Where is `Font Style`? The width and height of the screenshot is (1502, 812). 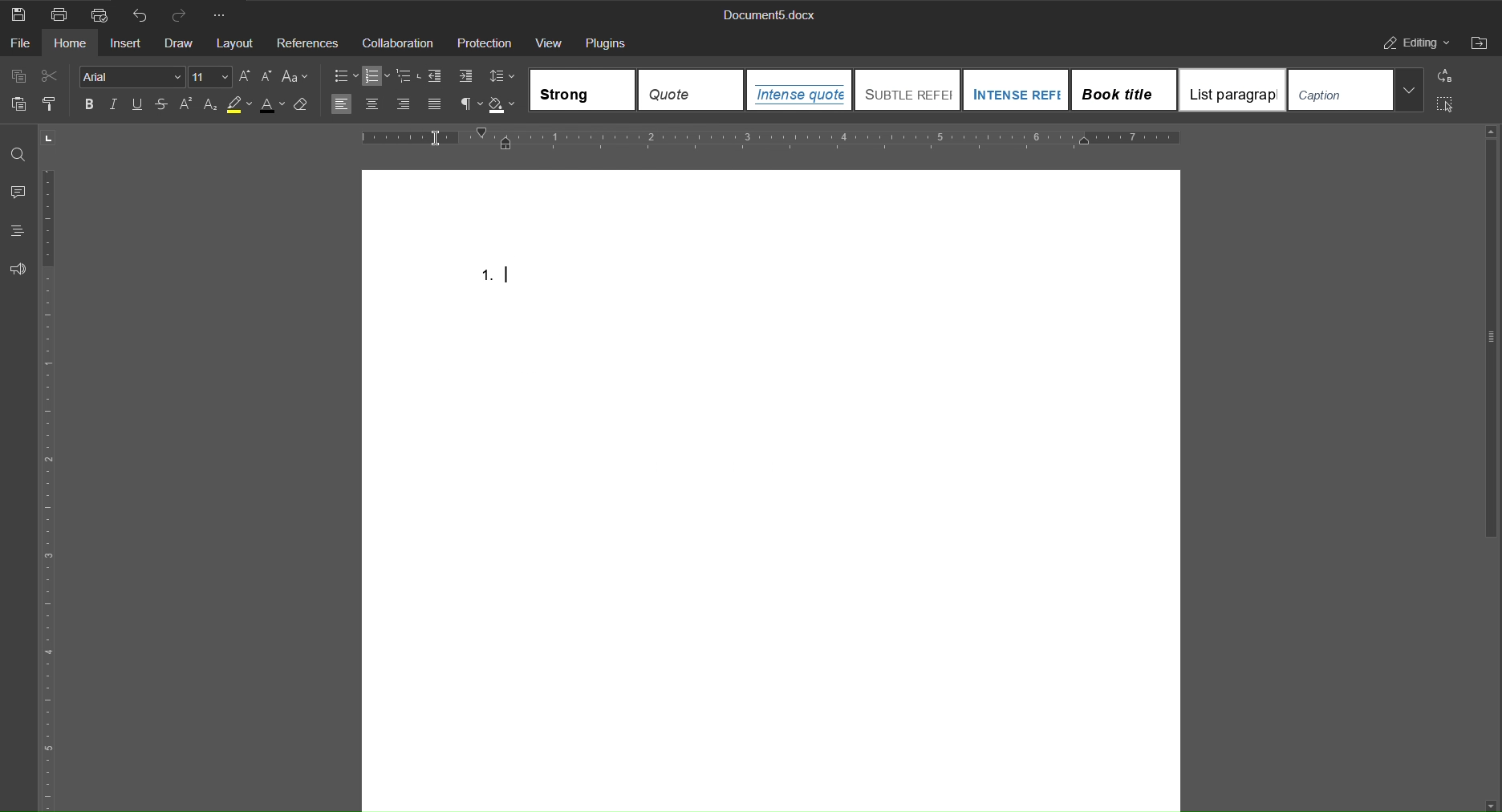 Font Style is located at coordinates (132, 76).